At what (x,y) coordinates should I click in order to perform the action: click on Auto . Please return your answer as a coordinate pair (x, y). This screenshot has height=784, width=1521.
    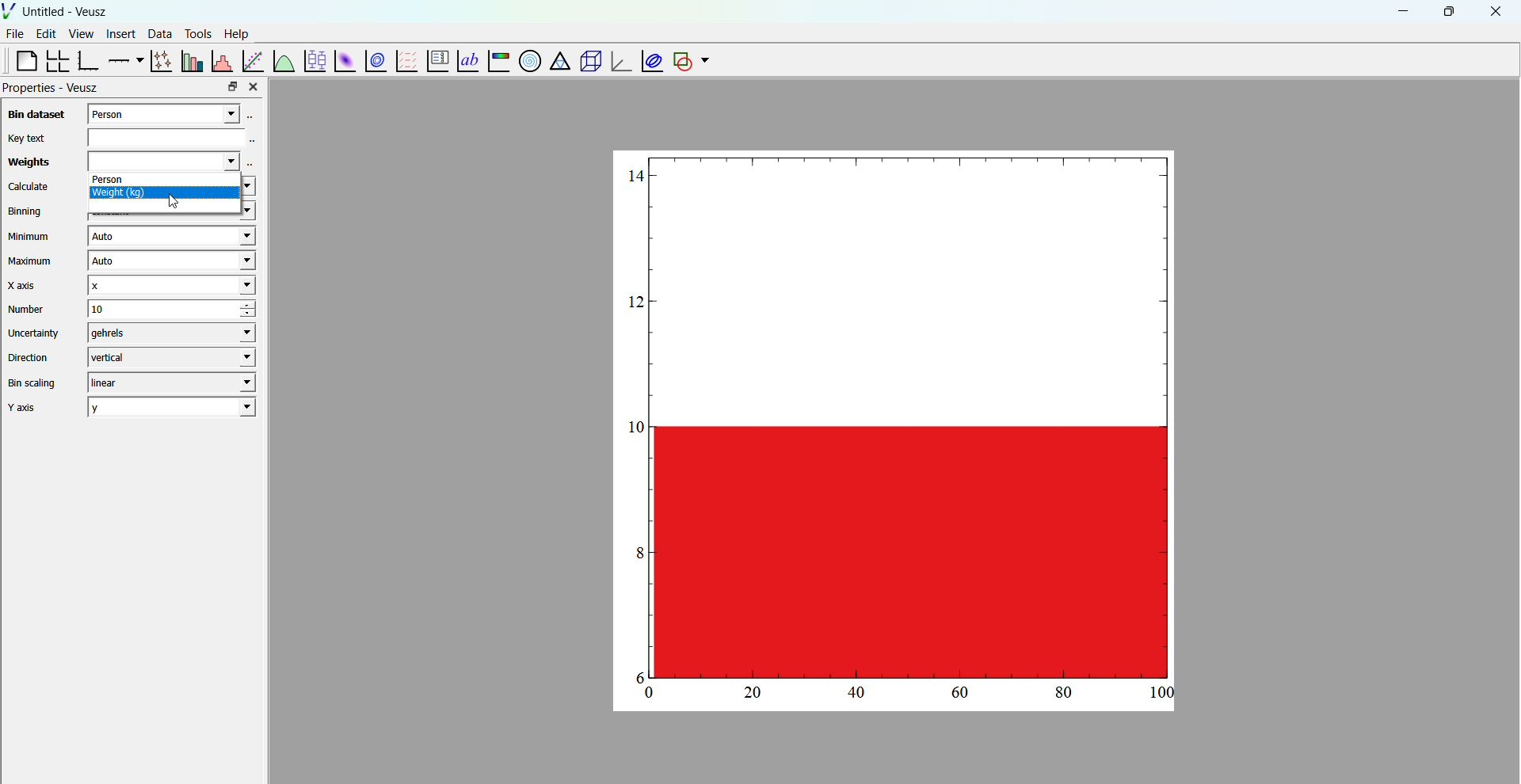
    Looking at the image, I should click on (169, 262).